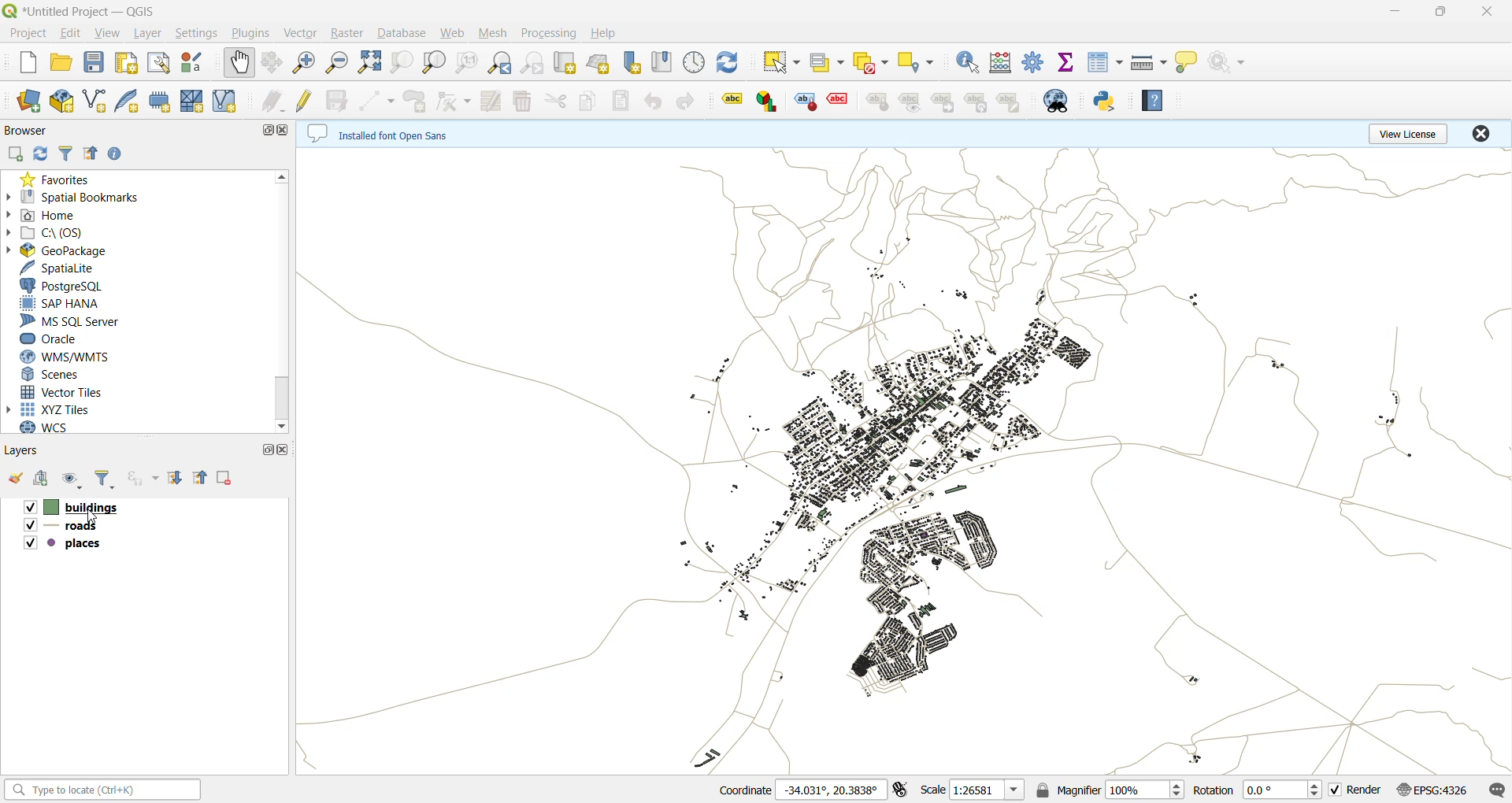  Describe the element at coordinates (401, 34) in the screenshot. I see `database` at that location.